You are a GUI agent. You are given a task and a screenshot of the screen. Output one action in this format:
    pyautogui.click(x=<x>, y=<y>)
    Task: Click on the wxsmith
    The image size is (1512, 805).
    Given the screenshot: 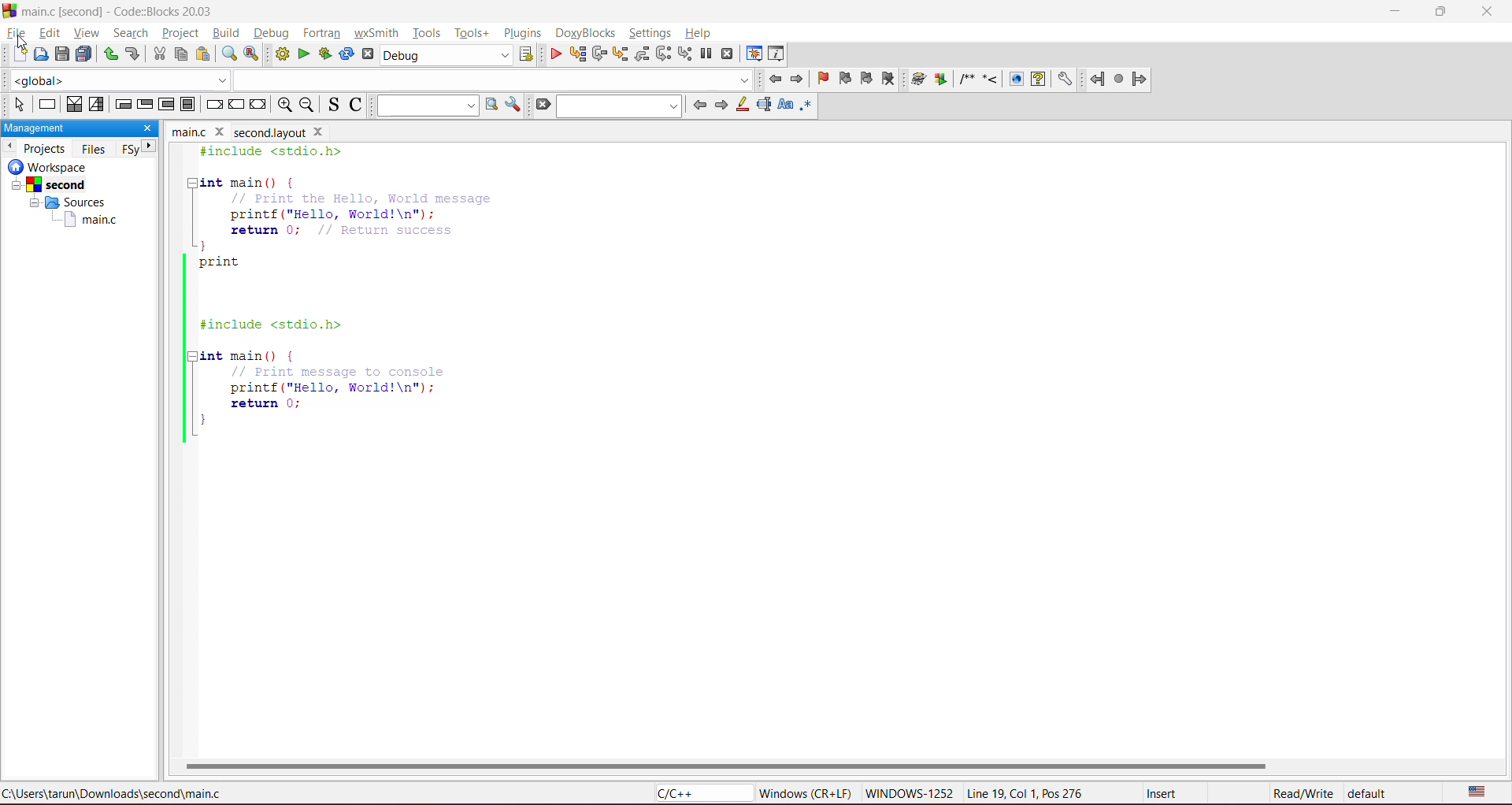 What is the action you would take?
    pyautogui.click(x=381, y=35)
    